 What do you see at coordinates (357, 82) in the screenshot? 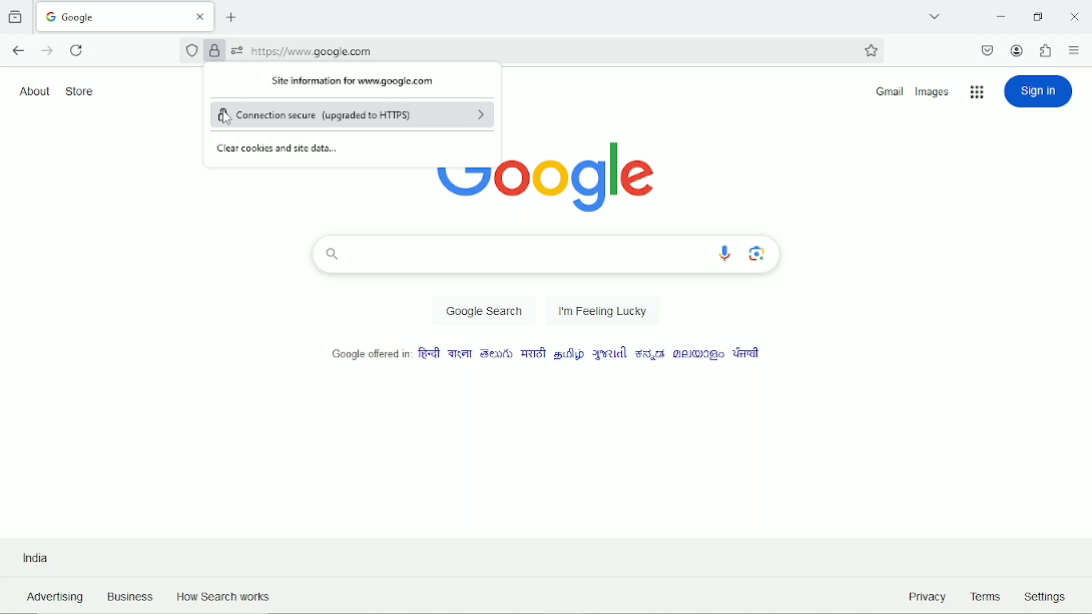
I see `Site information for www.google.com` at bounding box center [357, 82].